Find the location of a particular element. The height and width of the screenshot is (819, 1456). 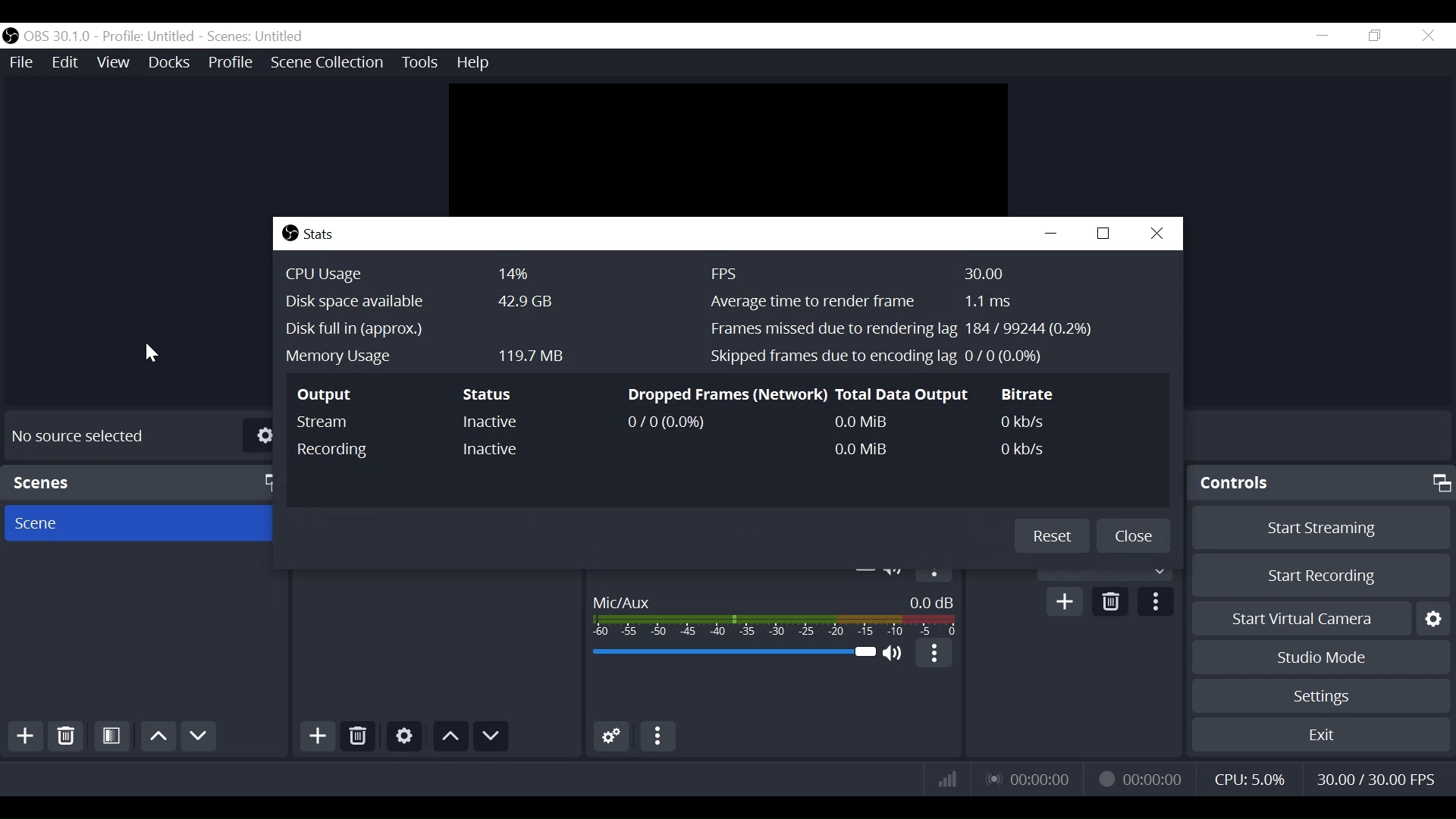

0.0MB is located at coordinates (866, 422).